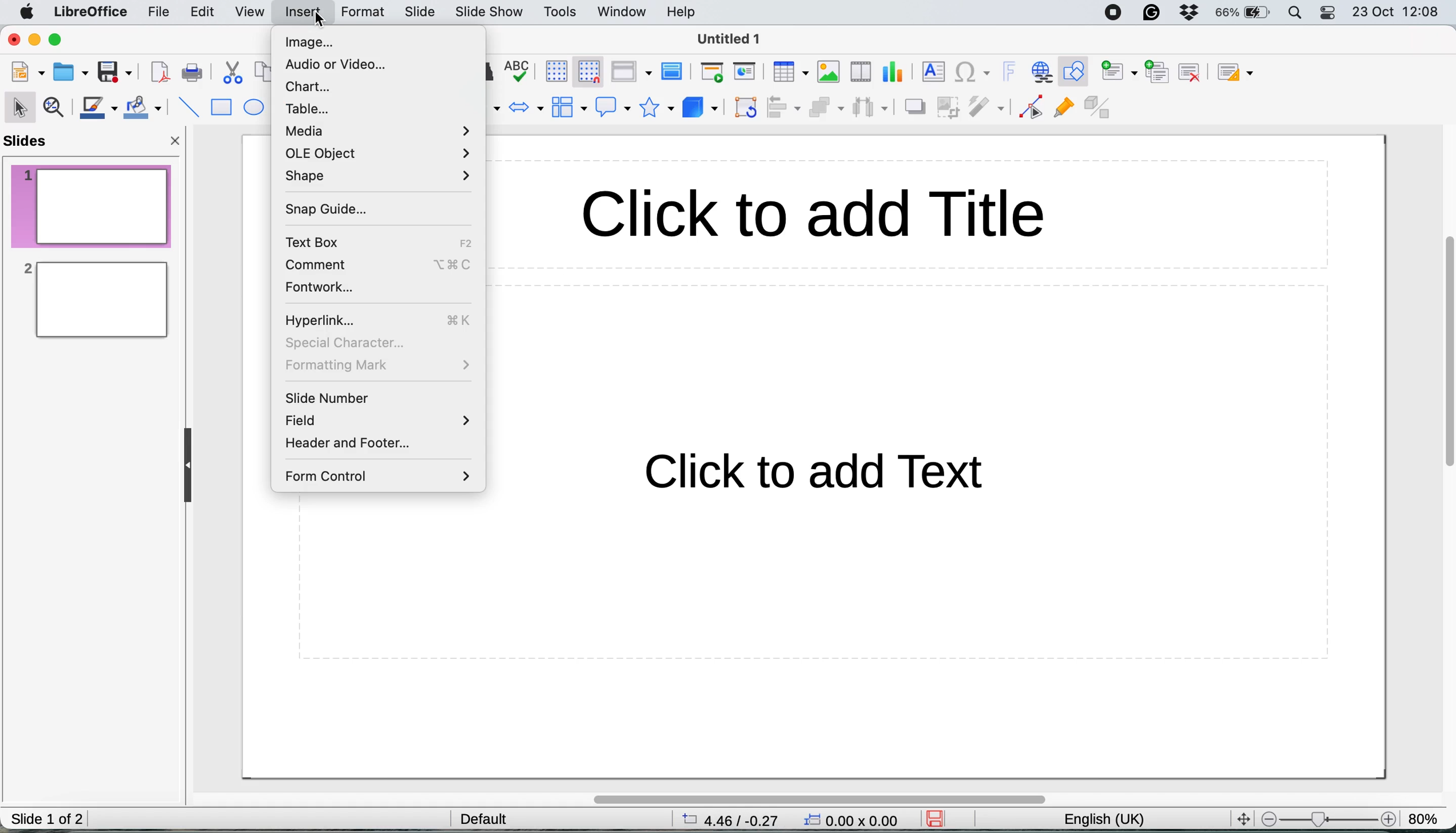 This screenshot has width=1456, height=833. What do you see at coordinates (1425, 814) in the screenshot?
I see `zoom factor` at bounding box center [1425, 814].